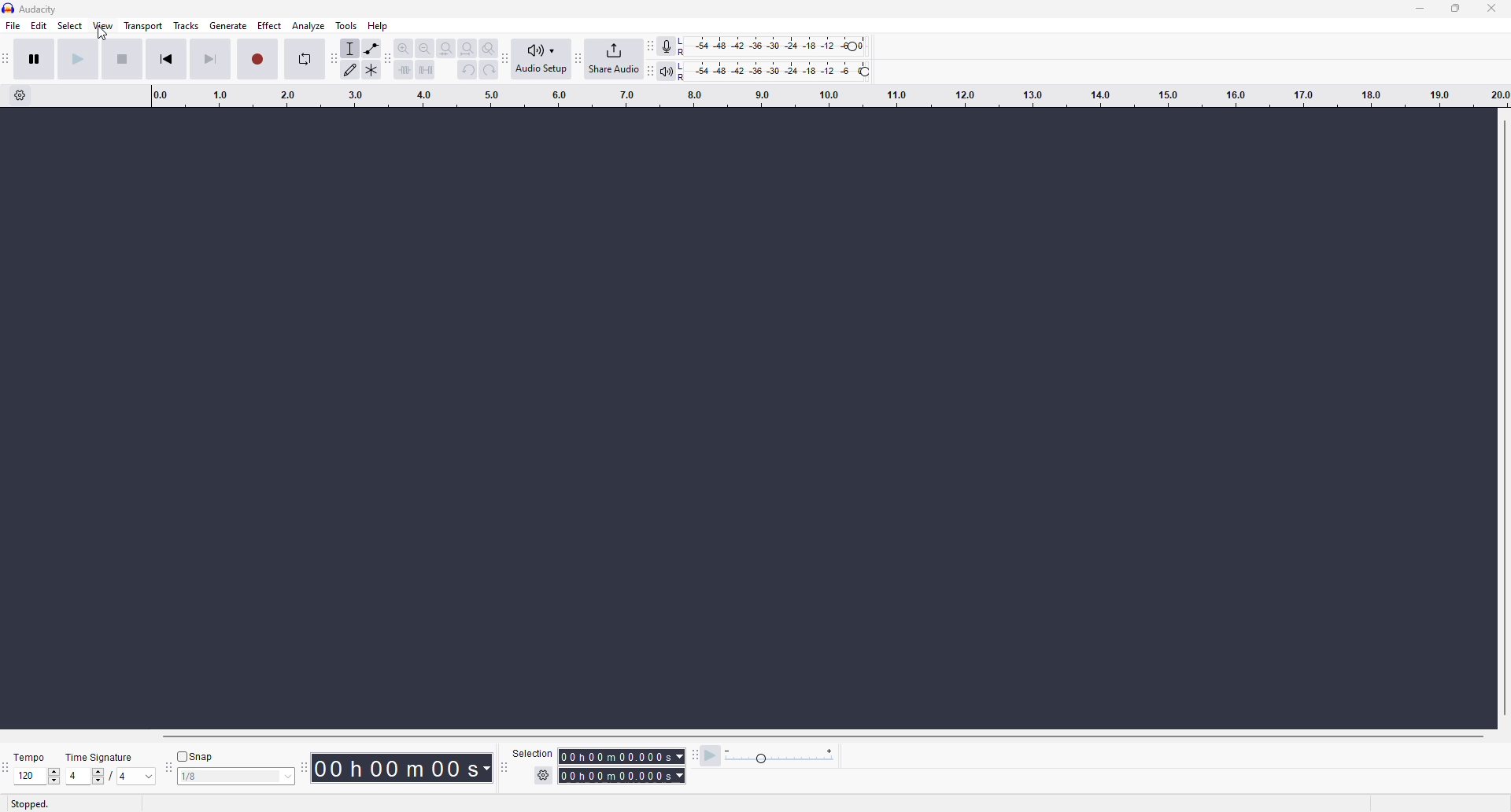 This screenshot has height=812, width=1511. What do you see at coordinates (405, 72) in the screenshot?
I see `trim outside selection` at bounding box center [405, 72].